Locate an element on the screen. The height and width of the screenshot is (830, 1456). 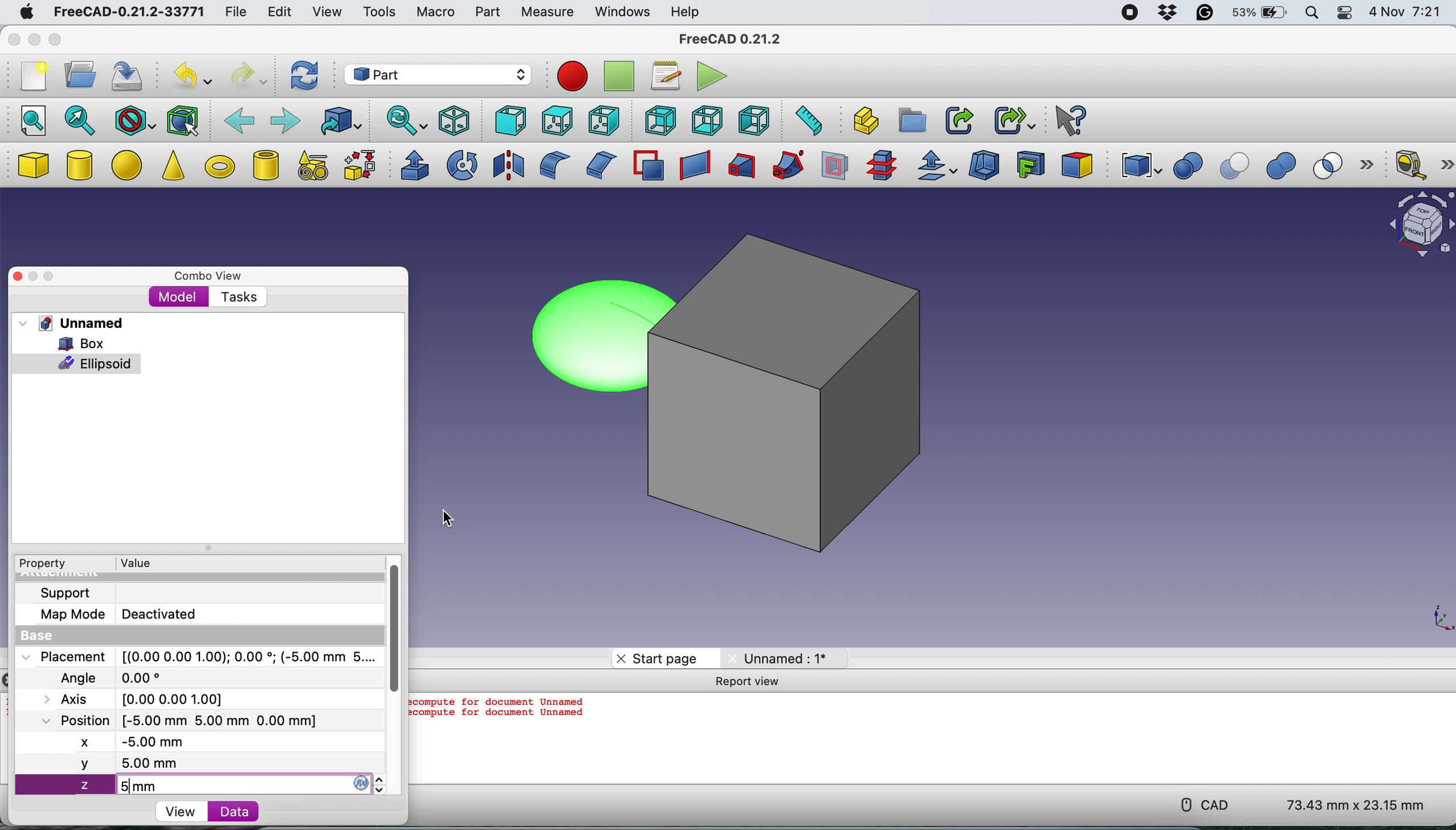
offset is located at coordinates (937, 167).